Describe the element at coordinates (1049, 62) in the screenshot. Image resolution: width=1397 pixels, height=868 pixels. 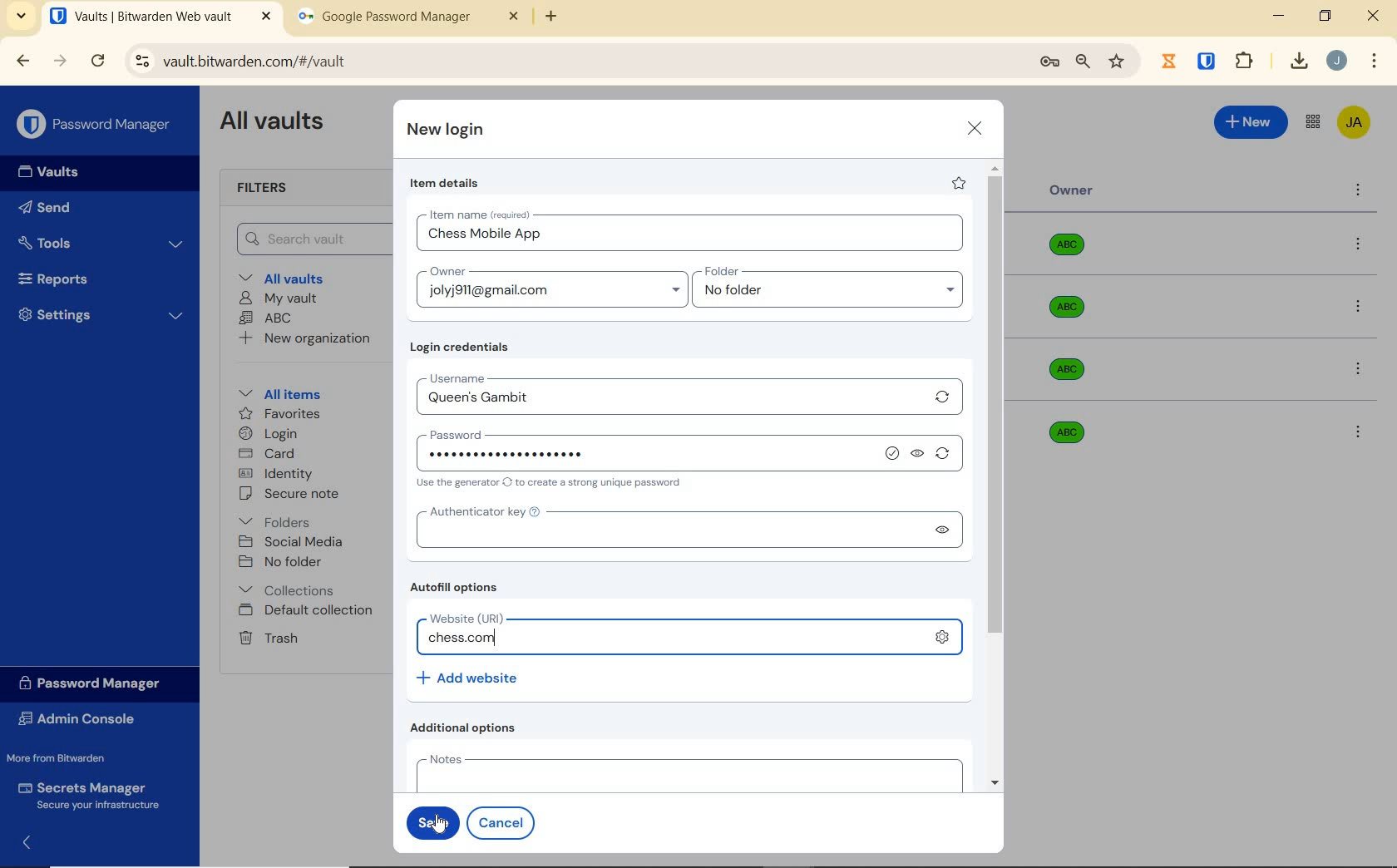
I see `manage passwords` at that location.